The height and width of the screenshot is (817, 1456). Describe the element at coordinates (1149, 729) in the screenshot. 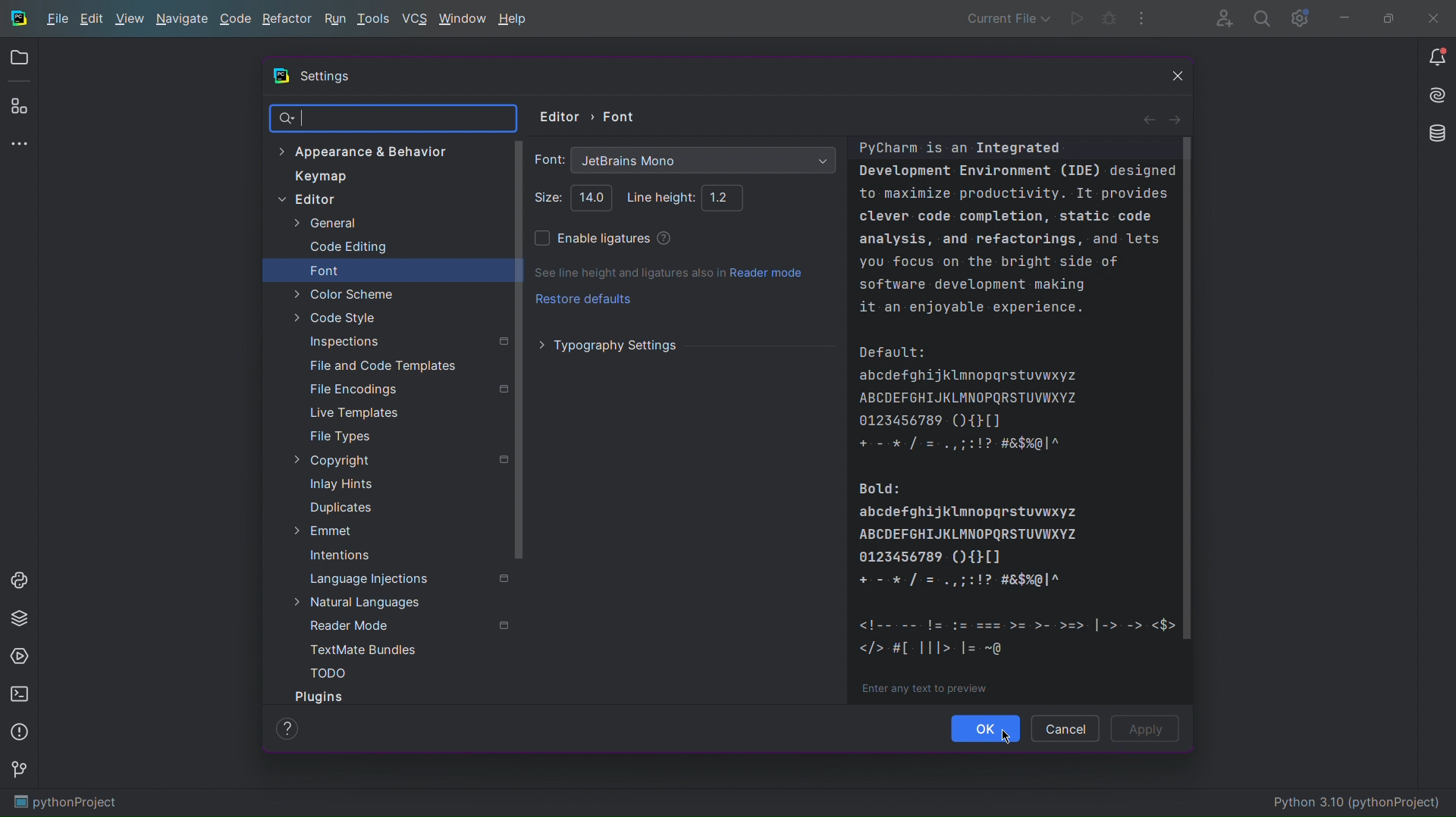

I see `Apply` at that location.